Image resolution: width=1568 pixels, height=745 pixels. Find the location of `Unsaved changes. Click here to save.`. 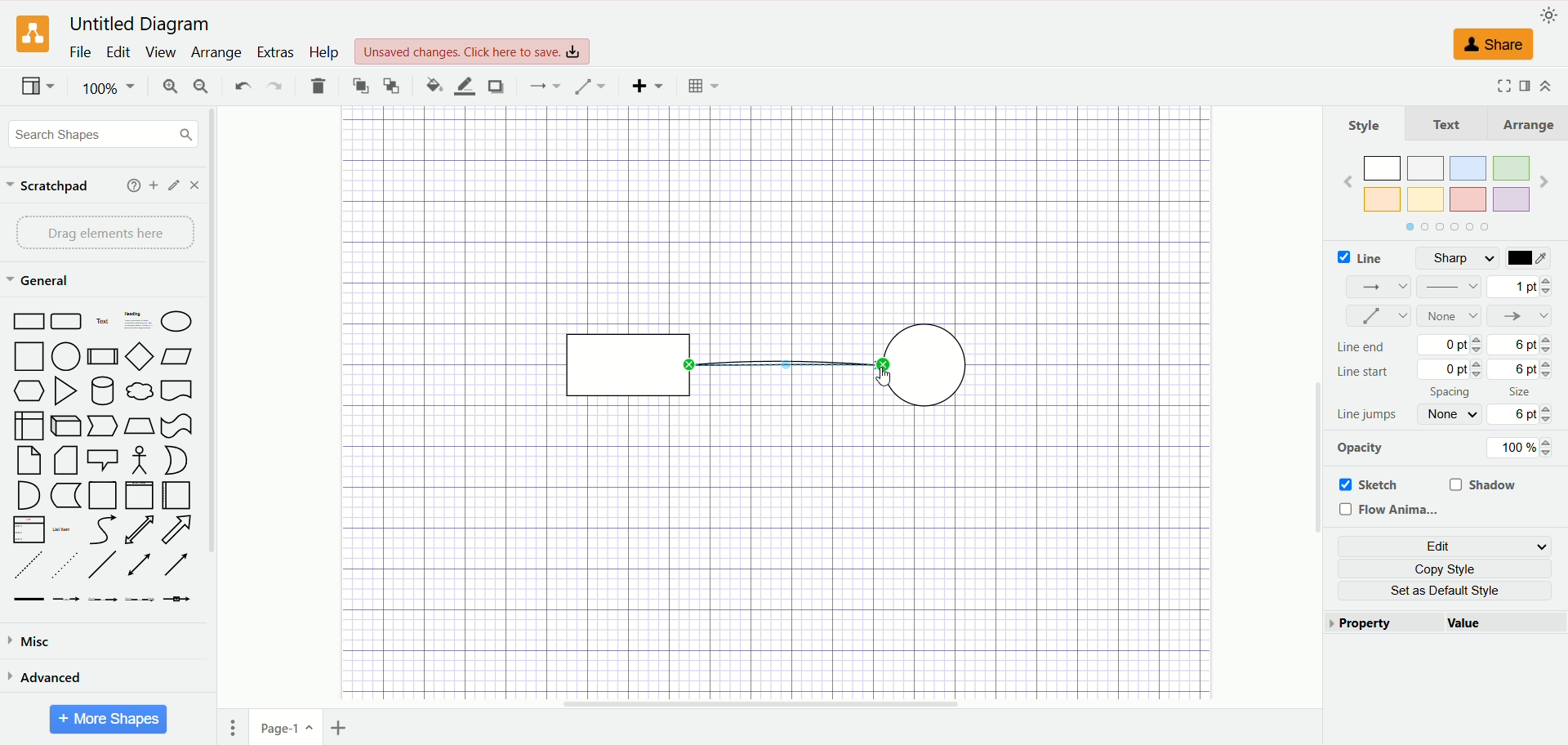

Unsaved changes. Click here to save. is located at coordinates (474, 51).